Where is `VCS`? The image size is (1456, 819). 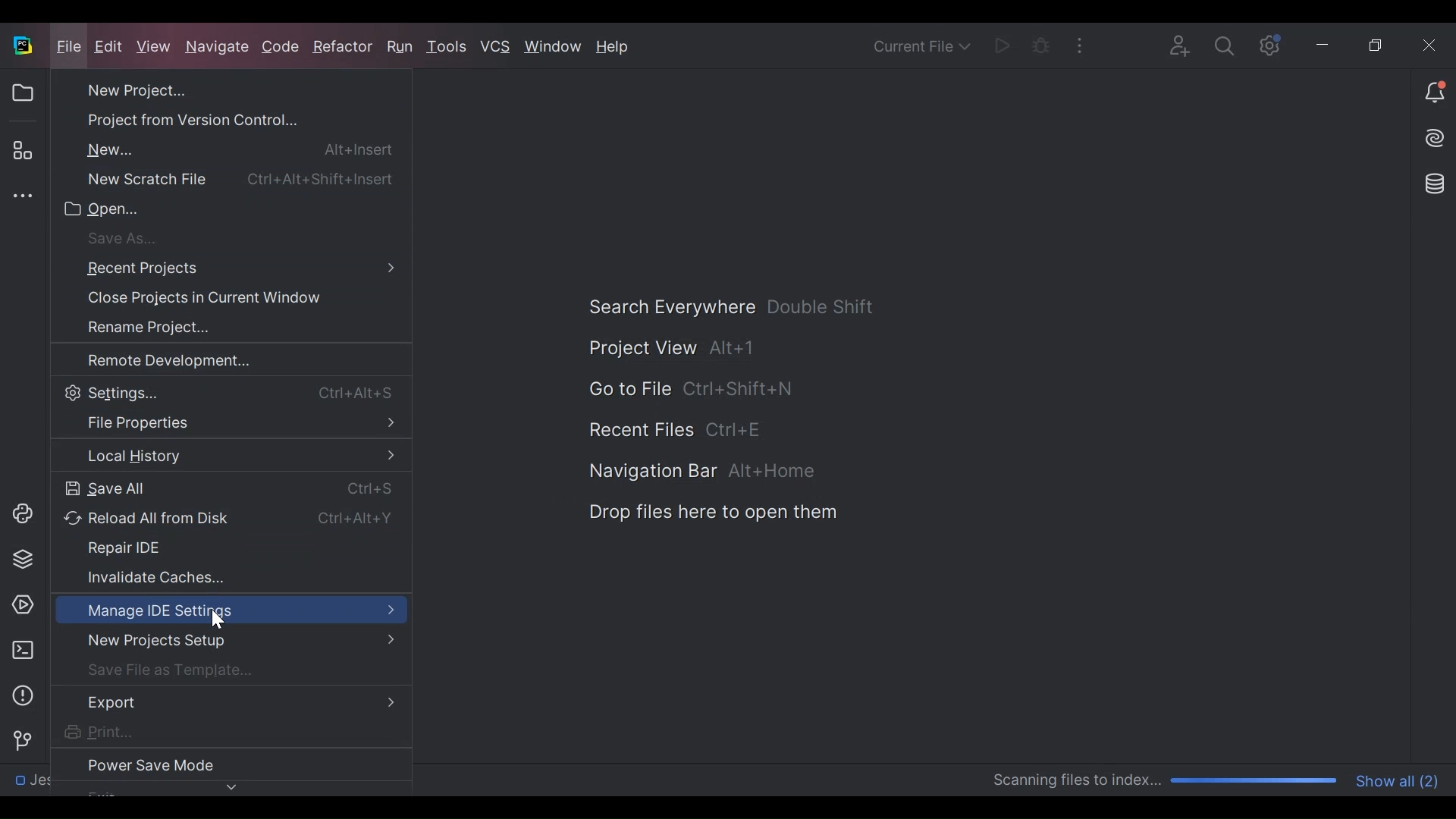 VCS is located at coordinates (496, 48).